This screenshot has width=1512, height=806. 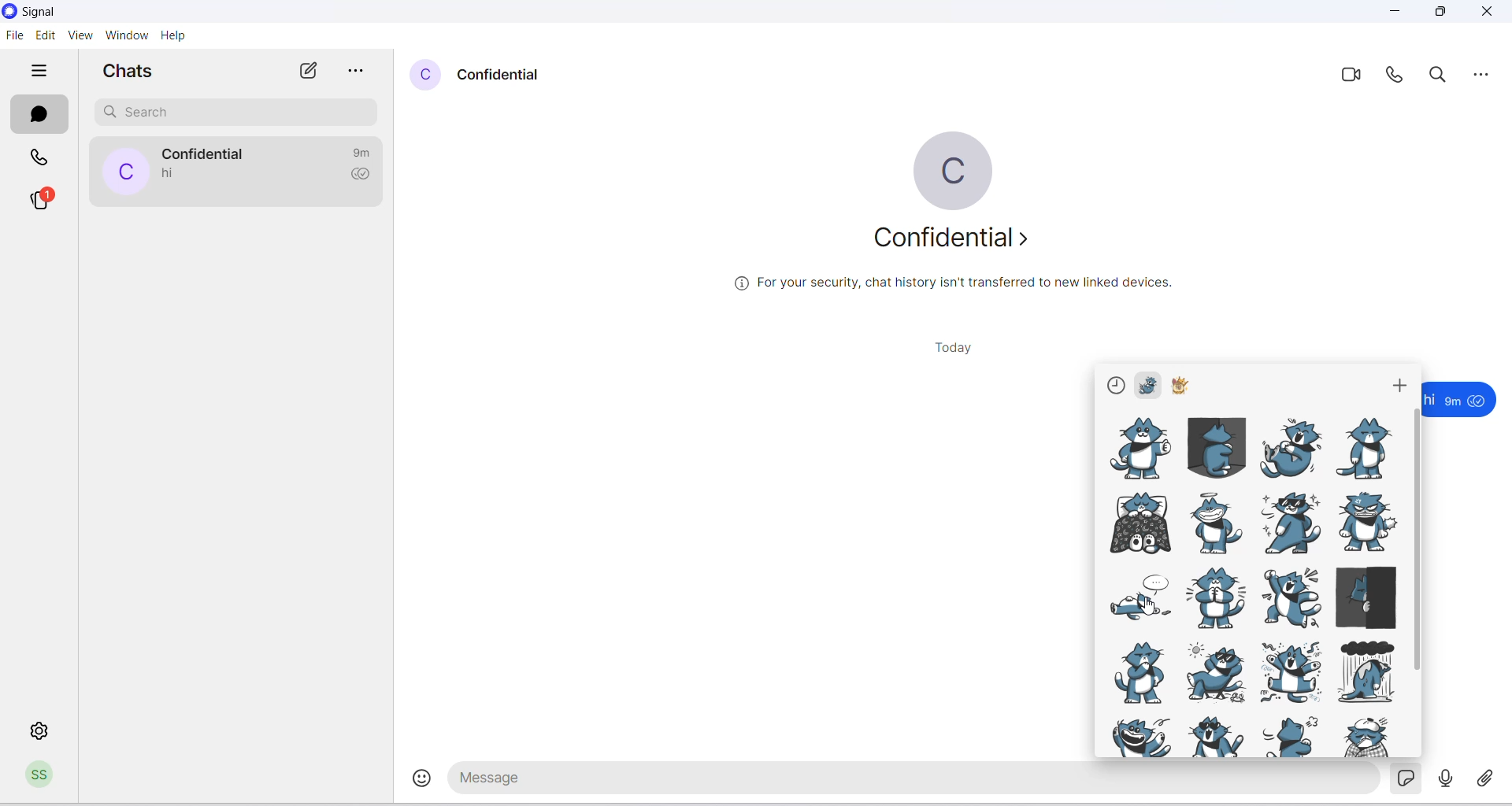 What do you see at coordinates (502, 74) in the screenshot?
I see `contact name` at bounding box center [502, 74].